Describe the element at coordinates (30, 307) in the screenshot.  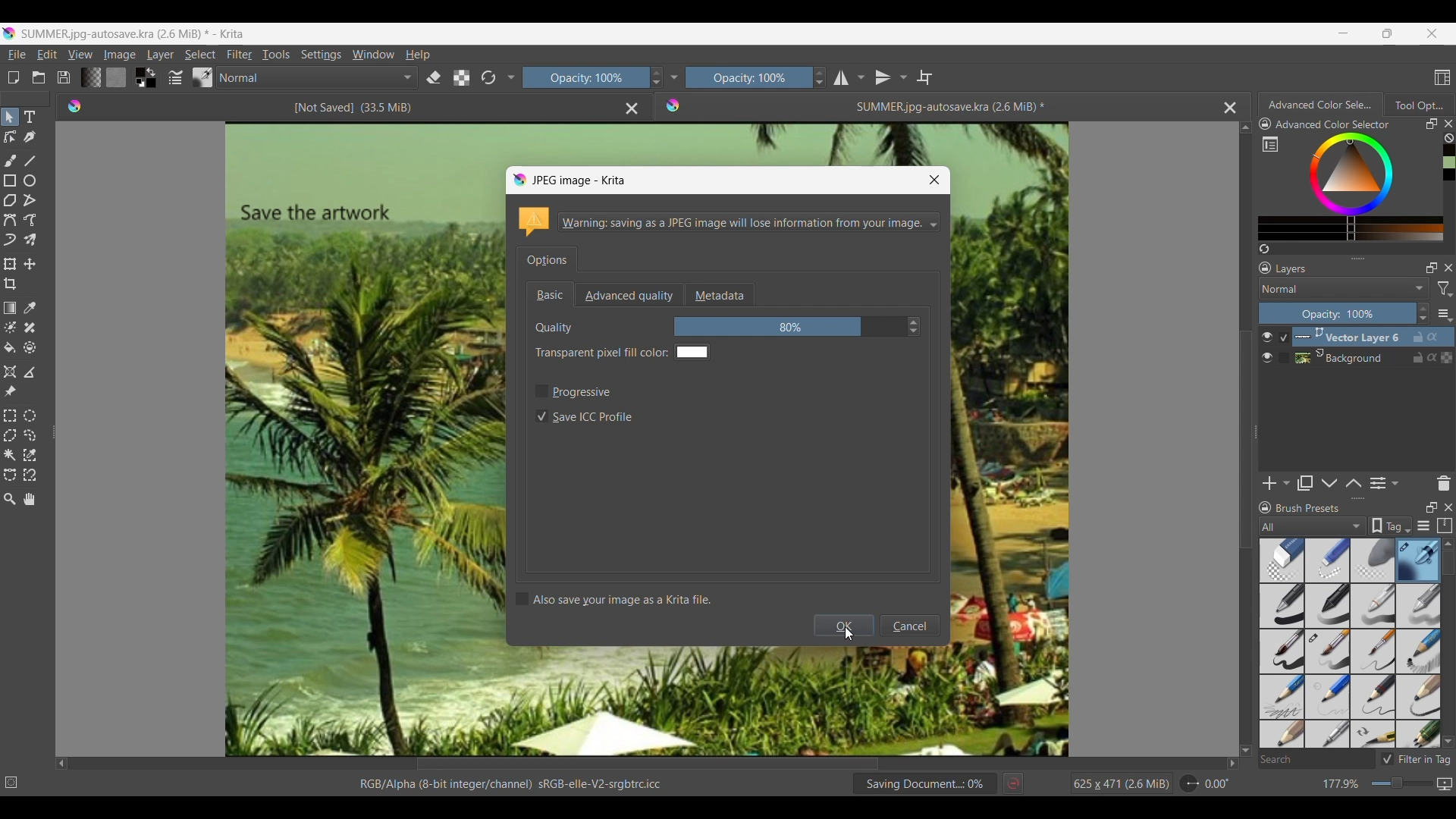
I see `Pick sample color from current layer` at that location.